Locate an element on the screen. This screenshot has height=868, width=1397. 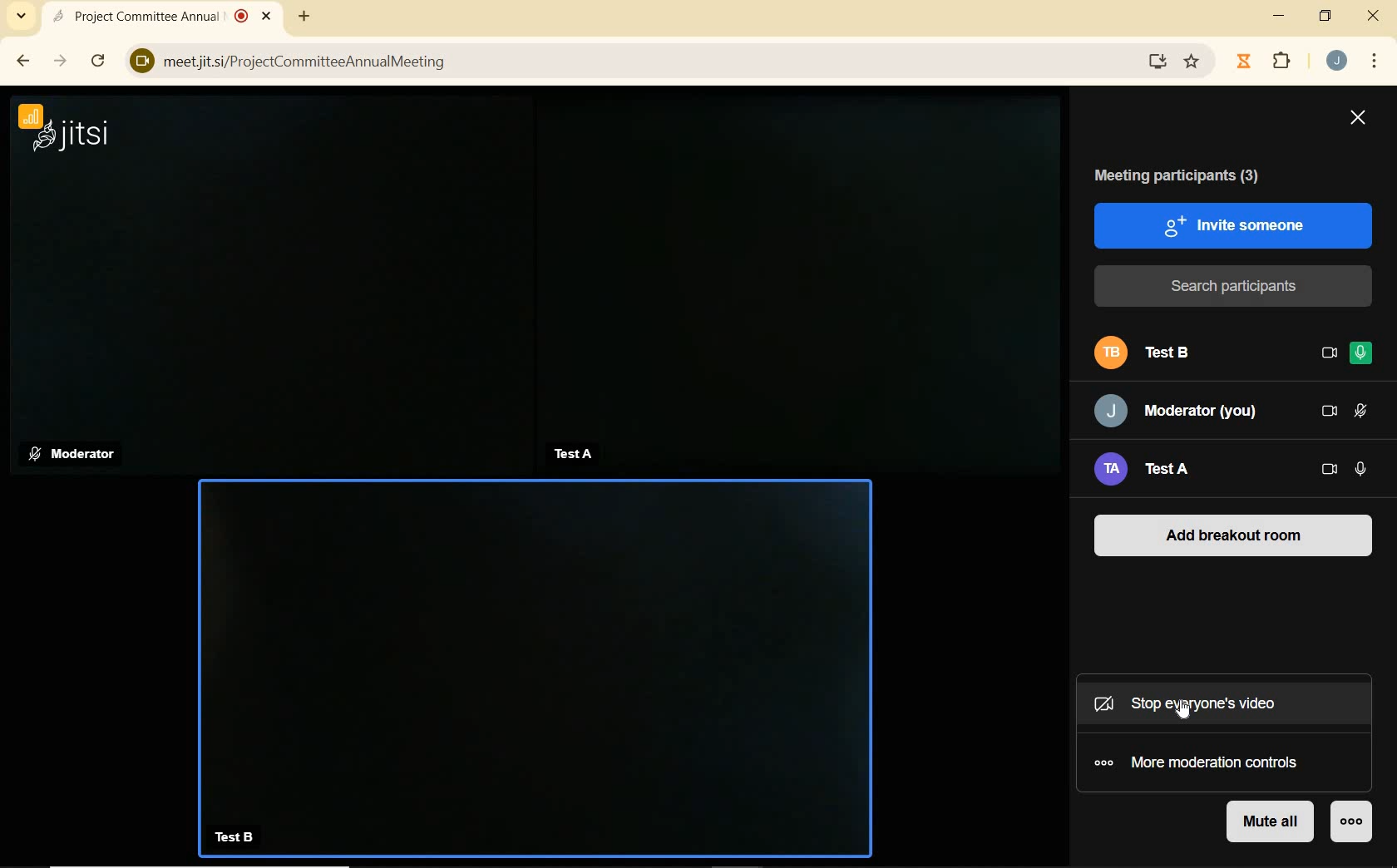
MEETING PARTICIPANTS (3) is located at coordinates (1188, 175).